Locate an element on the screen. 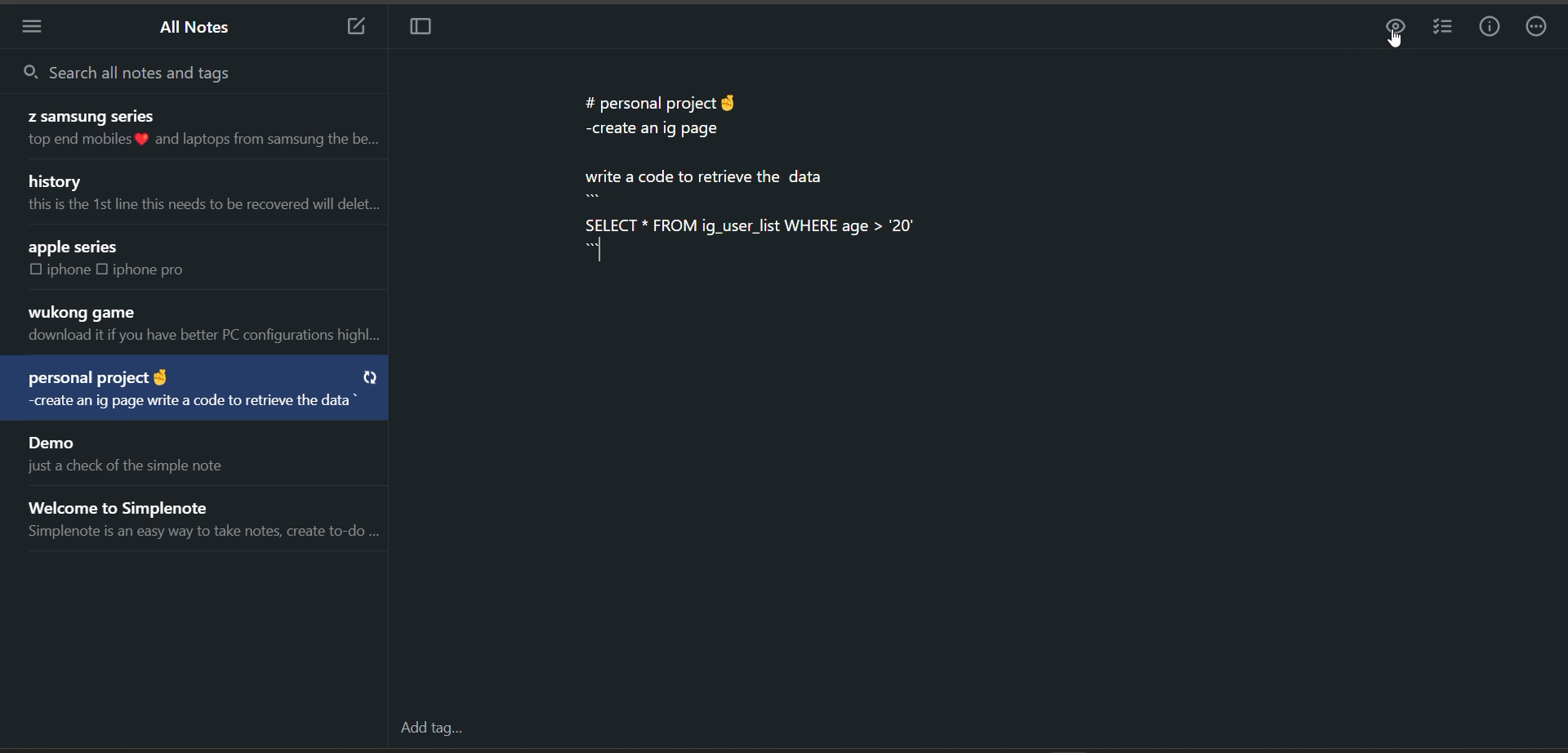 The image size is (1568, 753). note title  and preview is located at coordinates (169, 259).